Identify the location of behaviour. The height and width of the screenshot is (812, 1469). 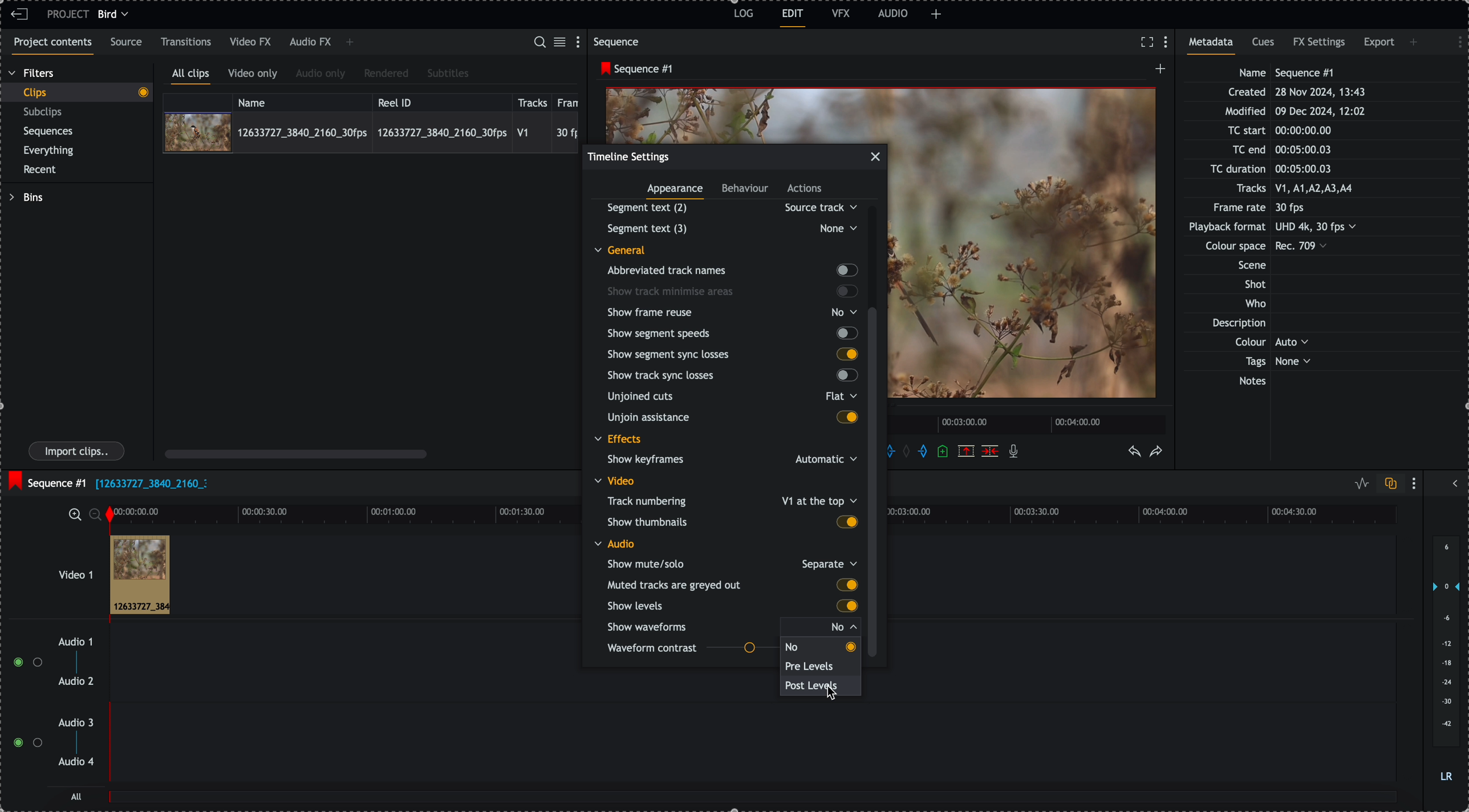
(746, 190).